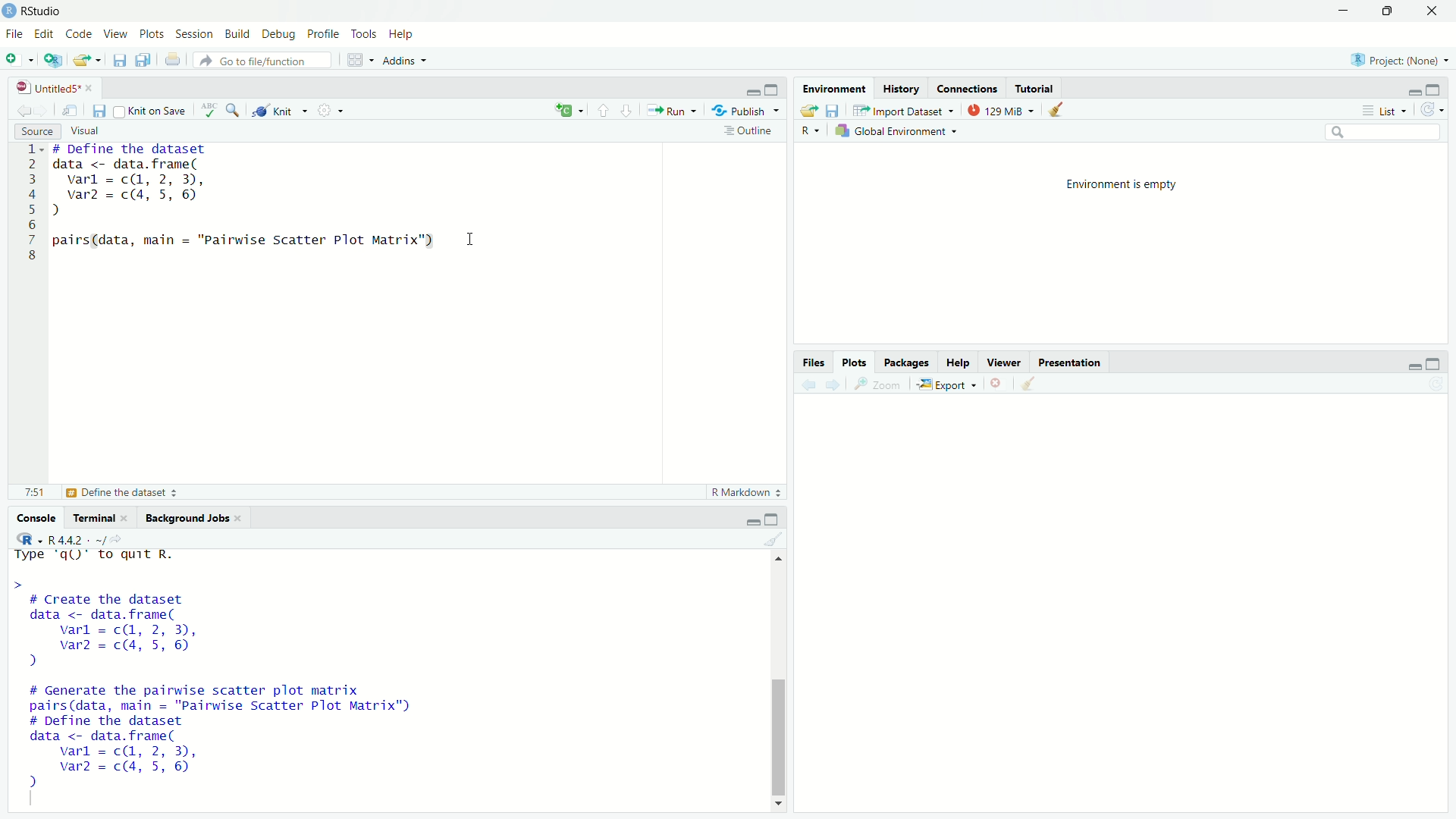  Describe the element at coordinates (265, 674) in the screenshot. I see `Type 'qQ)" to quit R.
>
# Create the dataset
data <- data.frame(
varl = c(, 2, 3),
var2 = c(4, 5, 6)
)
# Generate the pairwise scatter plot matrix
pairs(data, main = "Pairwise Scatter Plot Matrix")
# Define the dataset
data <- data.frame(
varl = cQ, 2, 3),
var2 = c(4, 5, 6)
2` at that location.